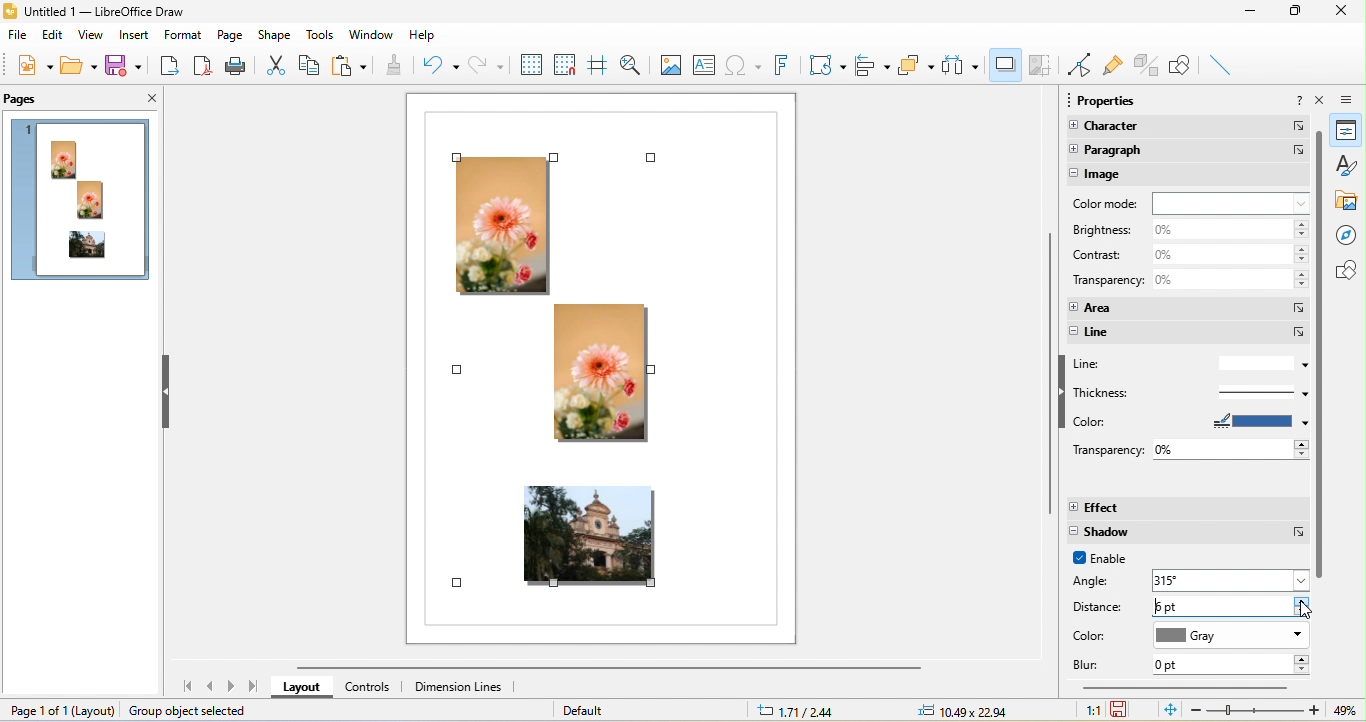 This screenshot has height=722, width=1366. Describe the element at coordinates (1311, 614) in the screenshot. I see `cursor movement` at that location.